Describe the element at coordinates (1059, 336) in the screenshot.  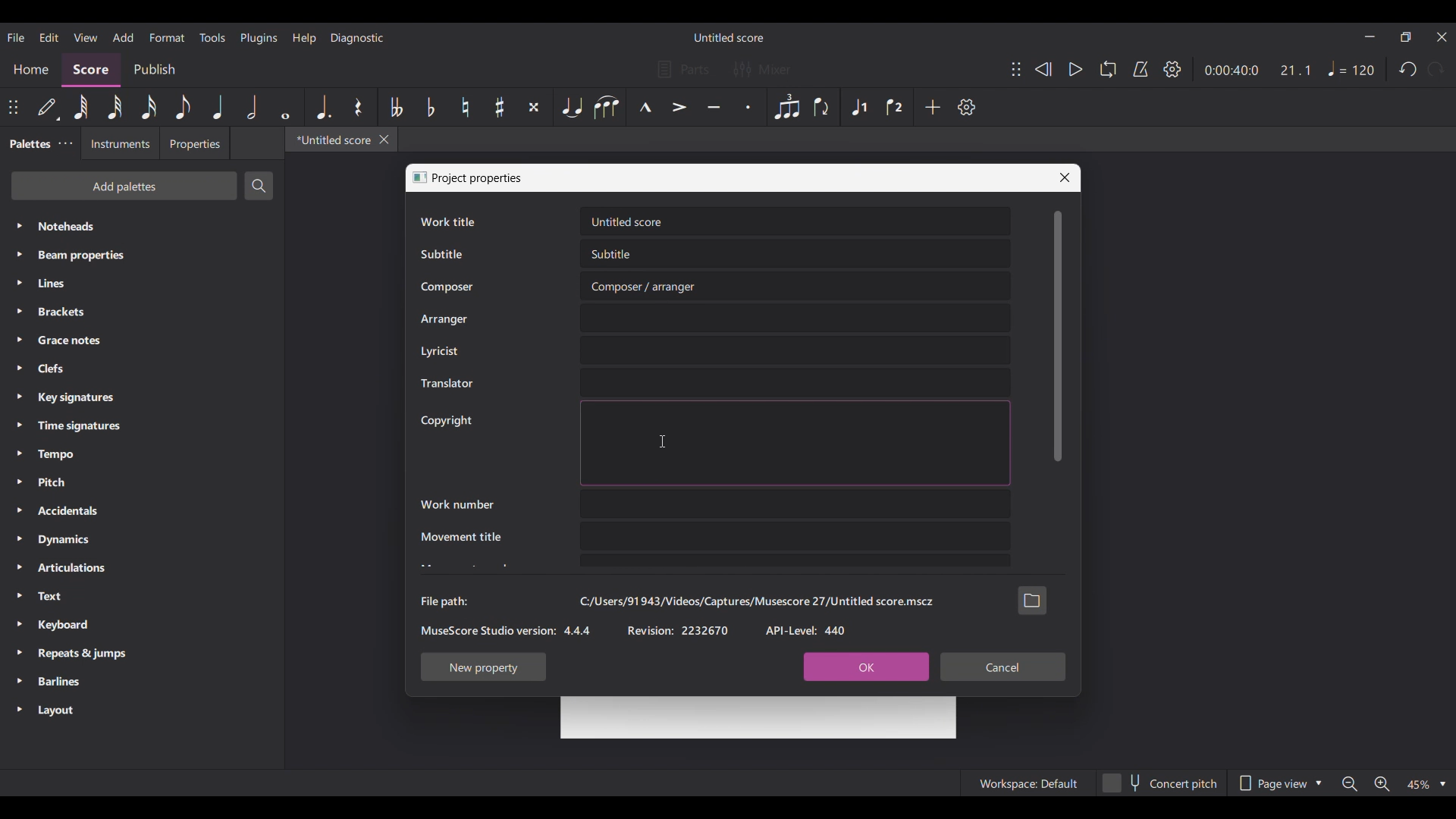
I see `Vertical slide bar` at that location.